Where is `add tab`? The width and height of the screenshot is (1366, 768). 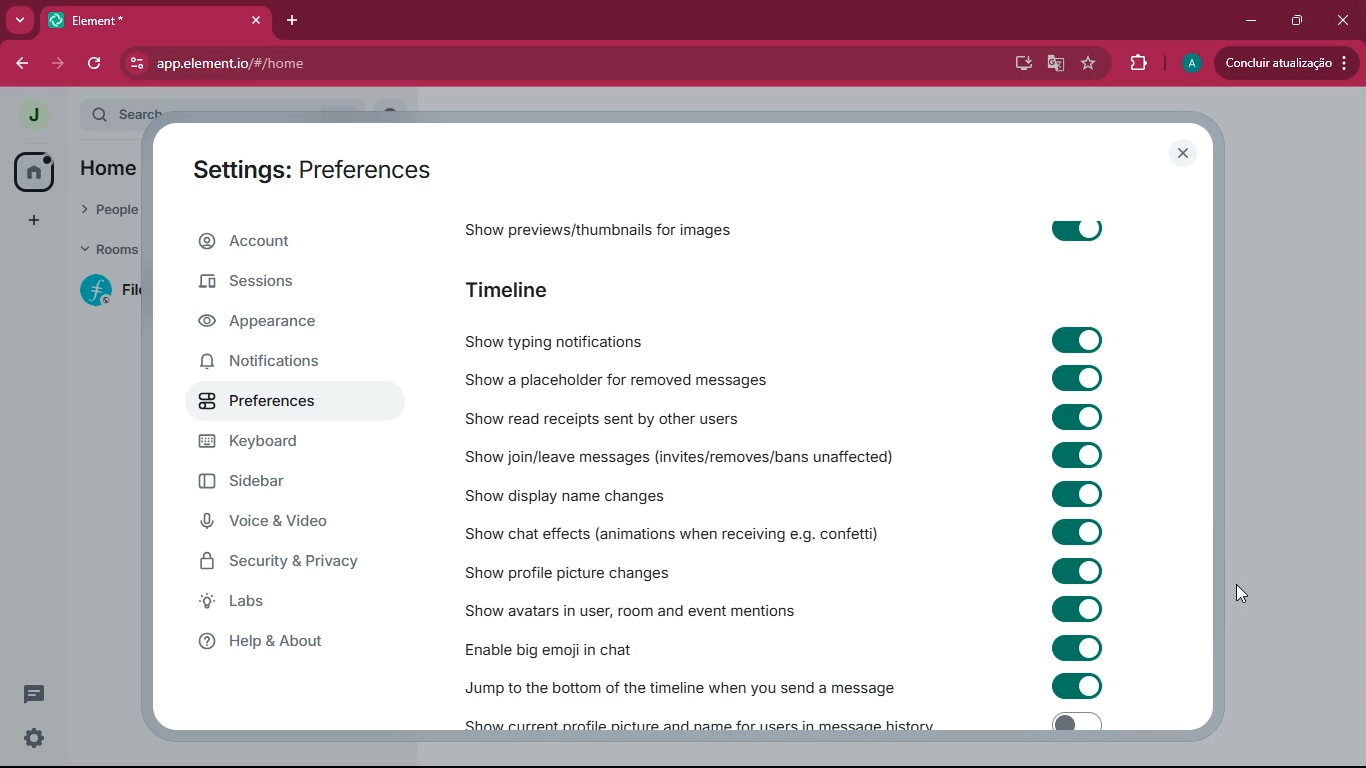
add tab is located at coordinates (293, 20).